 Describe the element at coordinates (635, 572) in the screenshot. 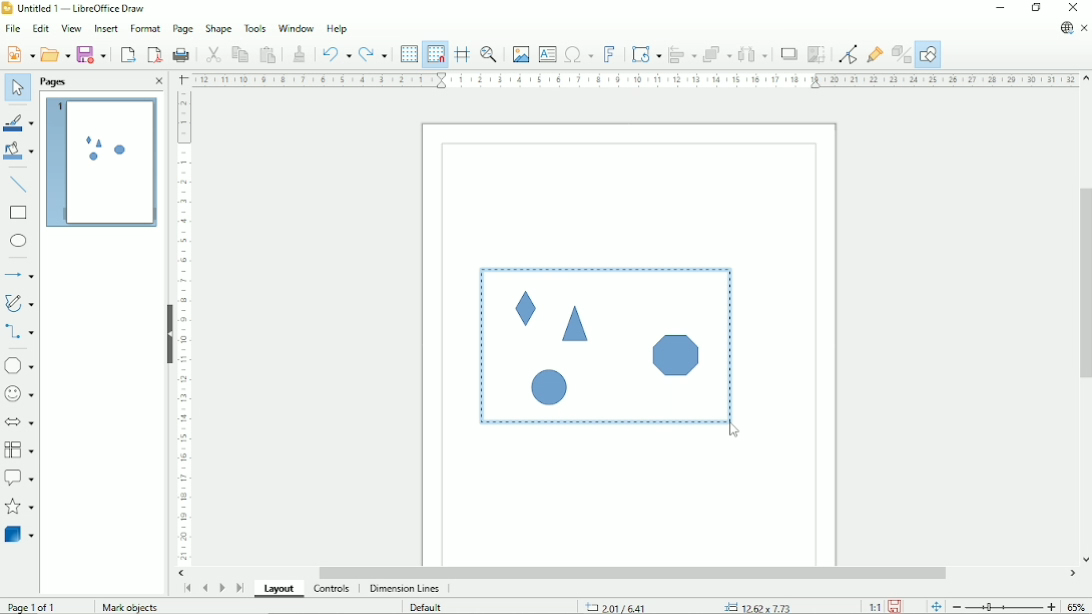

I see `Horizontal scrollbar` at that location.